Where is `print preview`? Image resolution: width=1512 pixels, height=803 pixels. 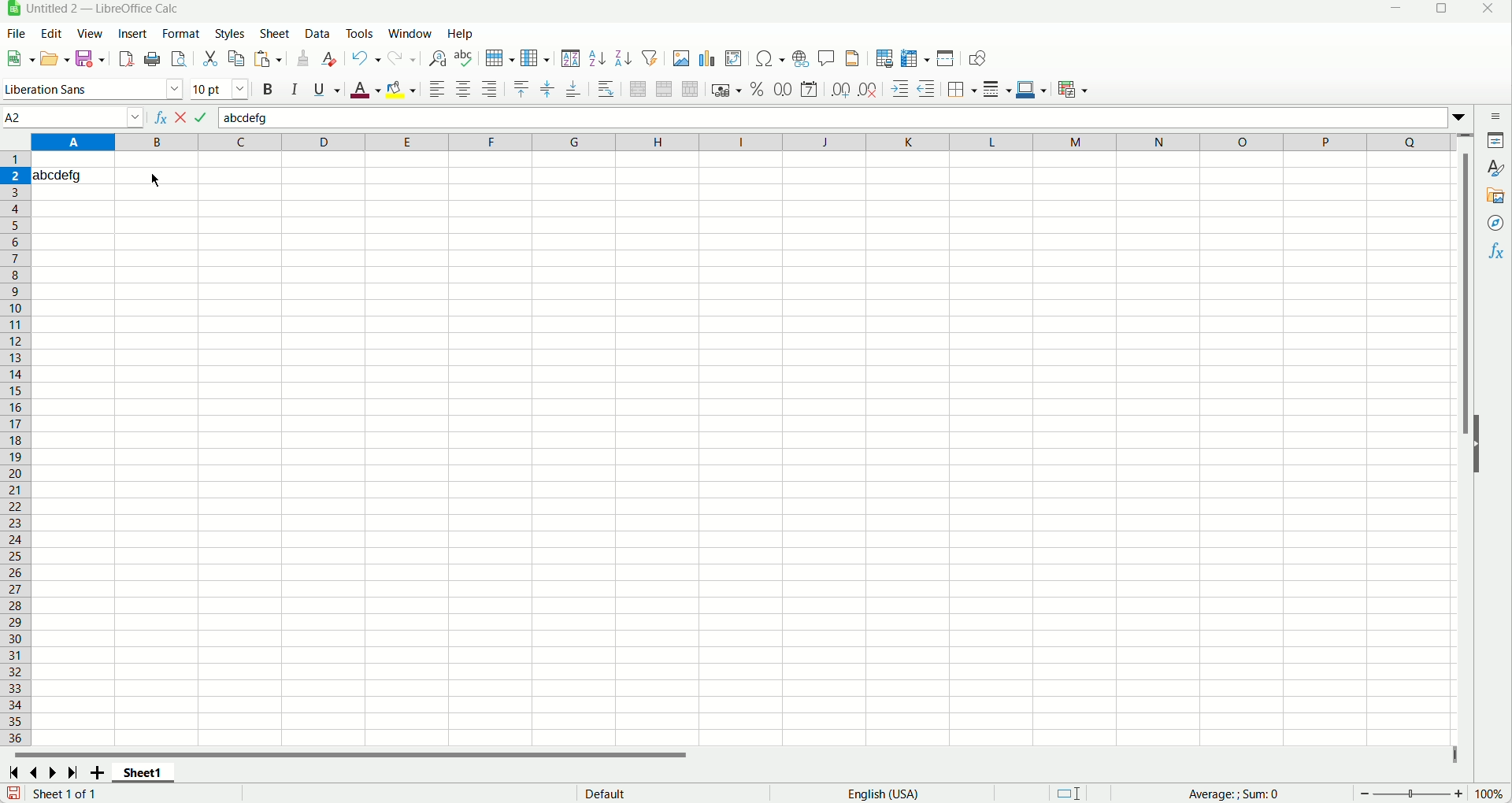
print preview is located at coordinates (177, 59).